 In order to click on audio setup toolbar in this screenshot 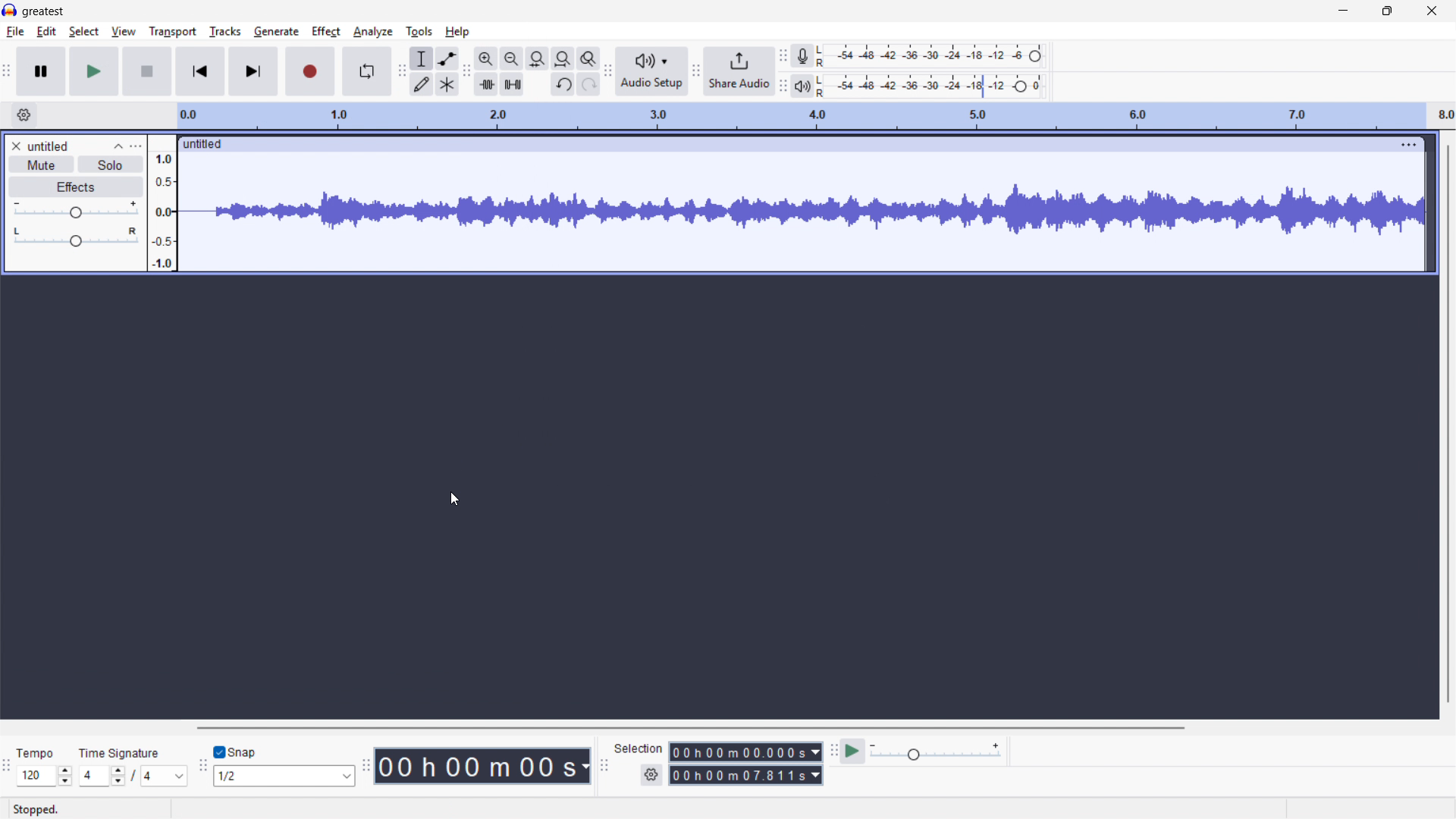, I will do `click(609, 72)`.